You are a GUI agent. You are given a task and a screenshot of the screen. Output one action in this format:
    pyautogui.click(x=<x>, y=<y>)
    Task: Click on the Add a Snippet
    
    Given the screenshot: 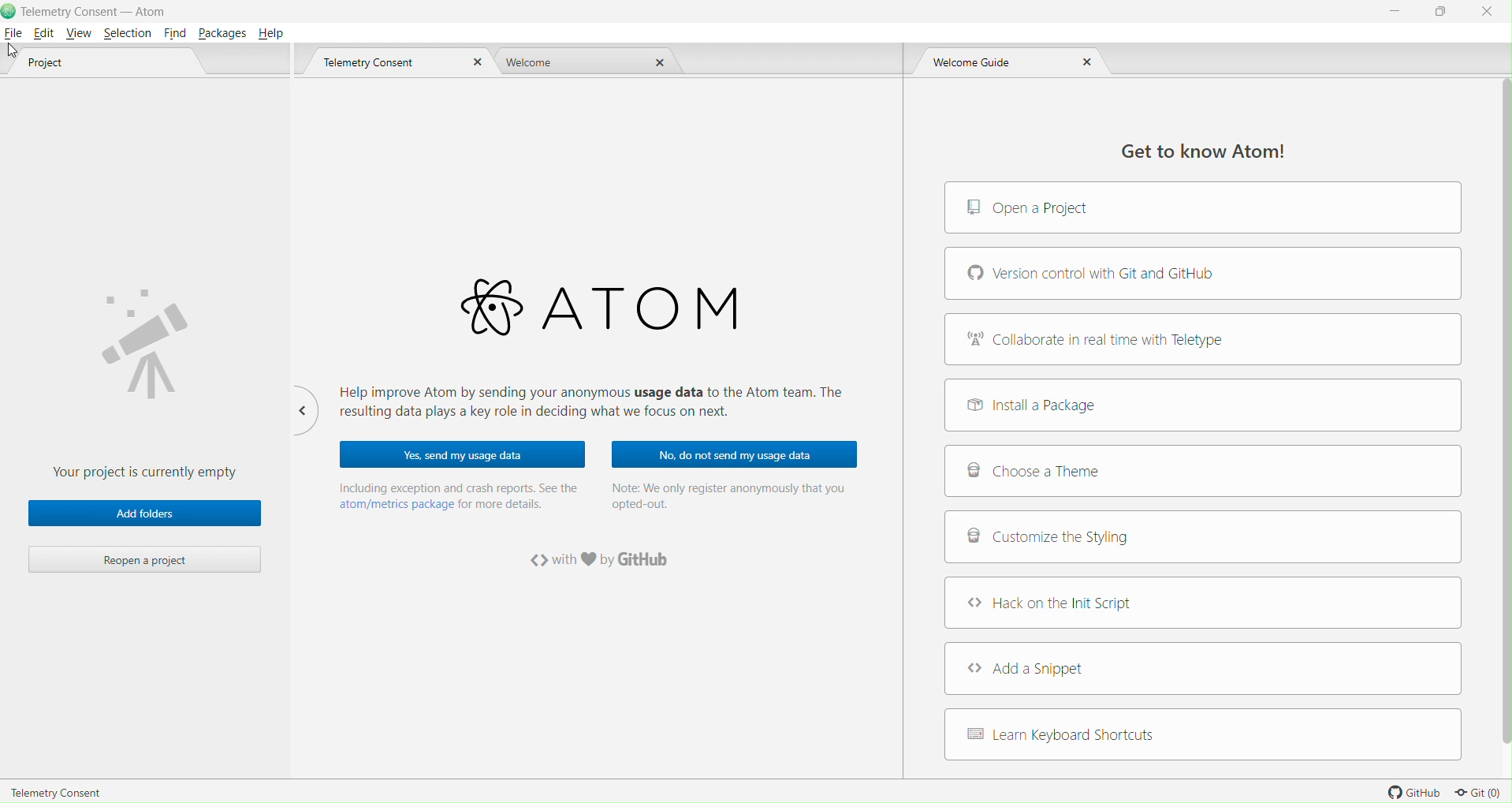 What is the action you would take?
    pyautogui.click(x=1204, y=667)
    